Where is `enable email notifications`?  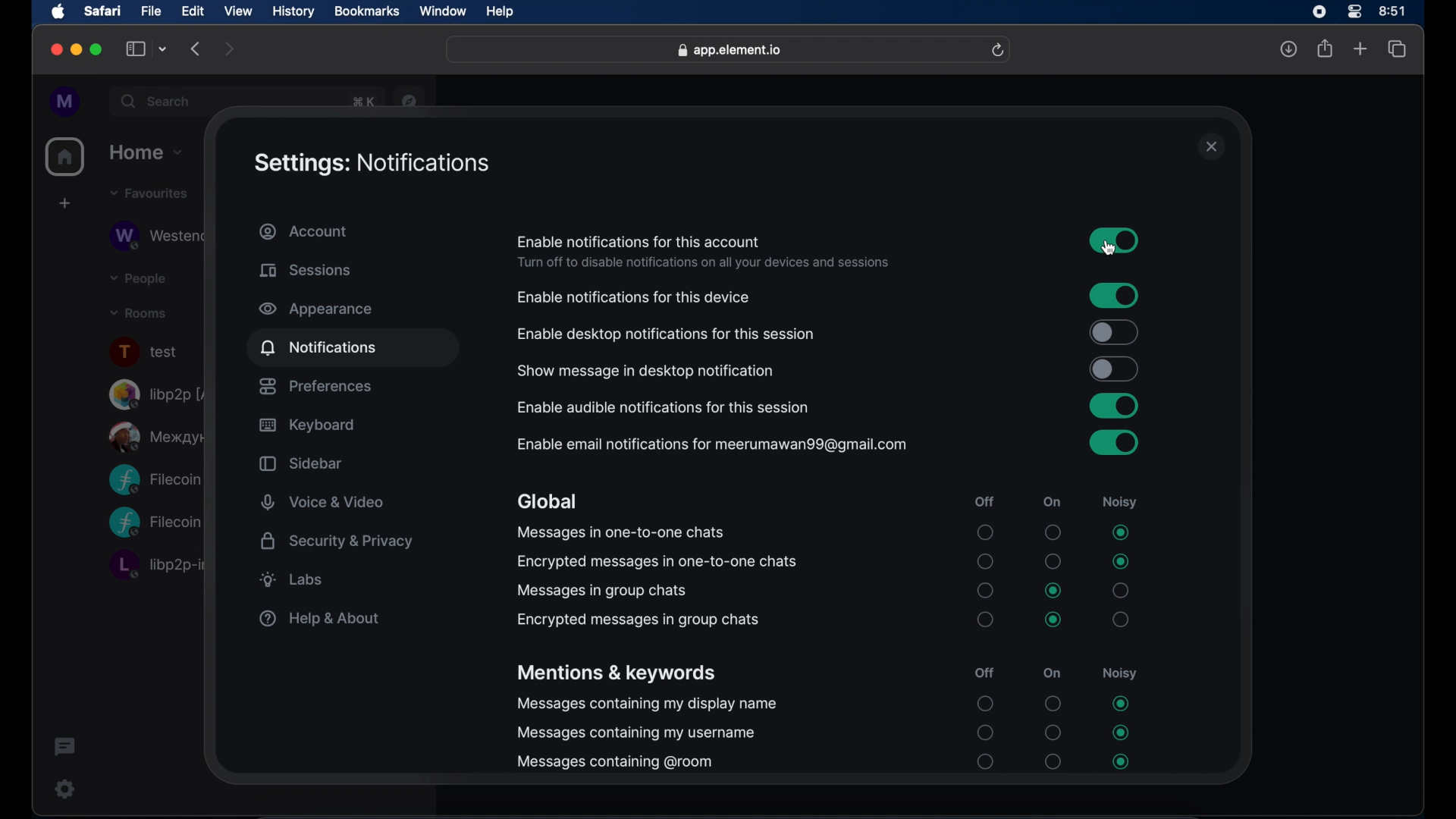
enable email notifications is located at coordinates (712, 446).